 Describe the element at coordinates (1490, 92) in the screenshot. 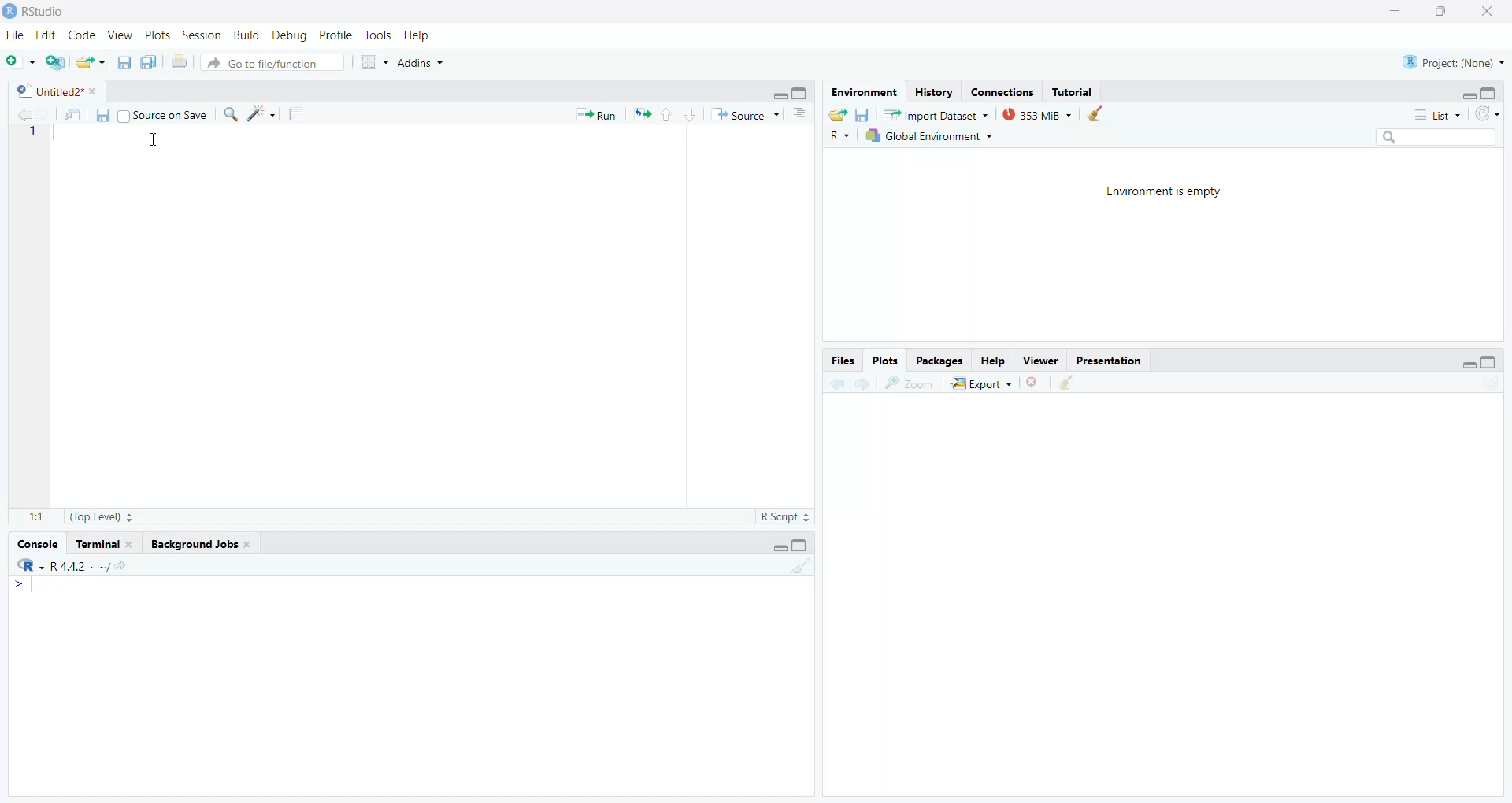

I see `hide console` at that location.